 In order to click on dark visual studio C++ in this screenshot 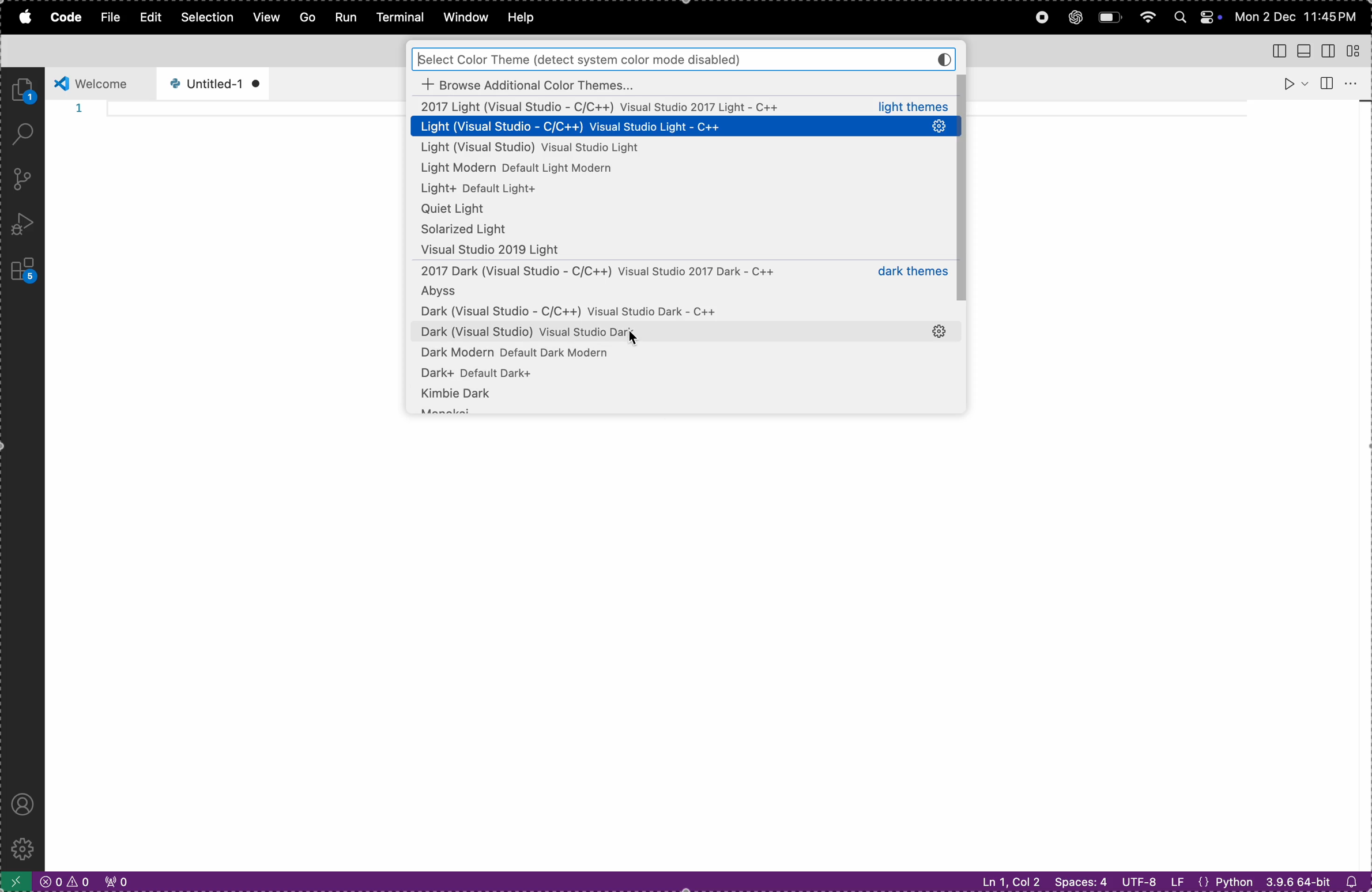, I will do `click(673, 313)`.